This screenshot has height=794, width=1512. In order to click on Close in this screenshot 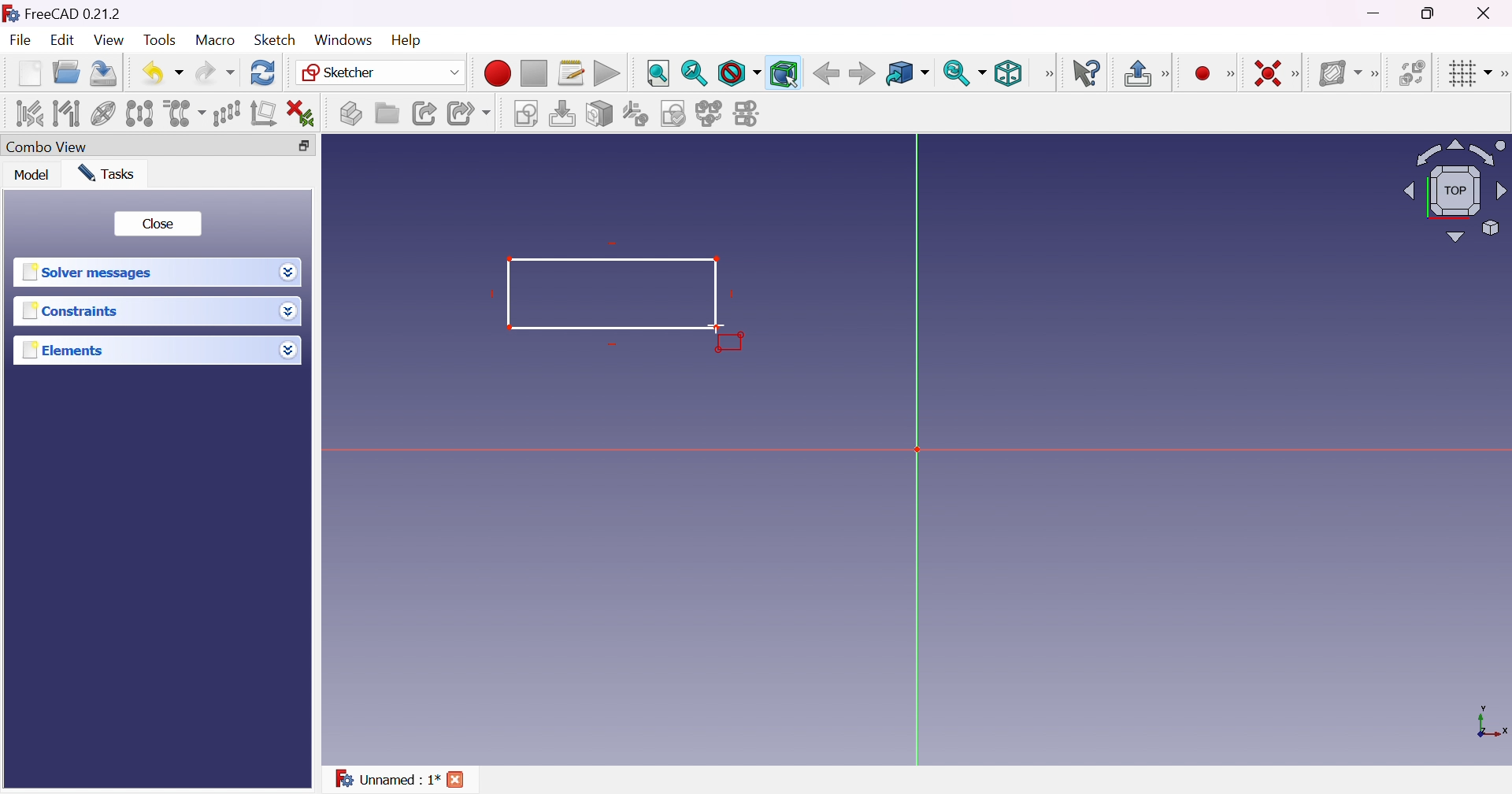, I will do `click(1486, 14)`.